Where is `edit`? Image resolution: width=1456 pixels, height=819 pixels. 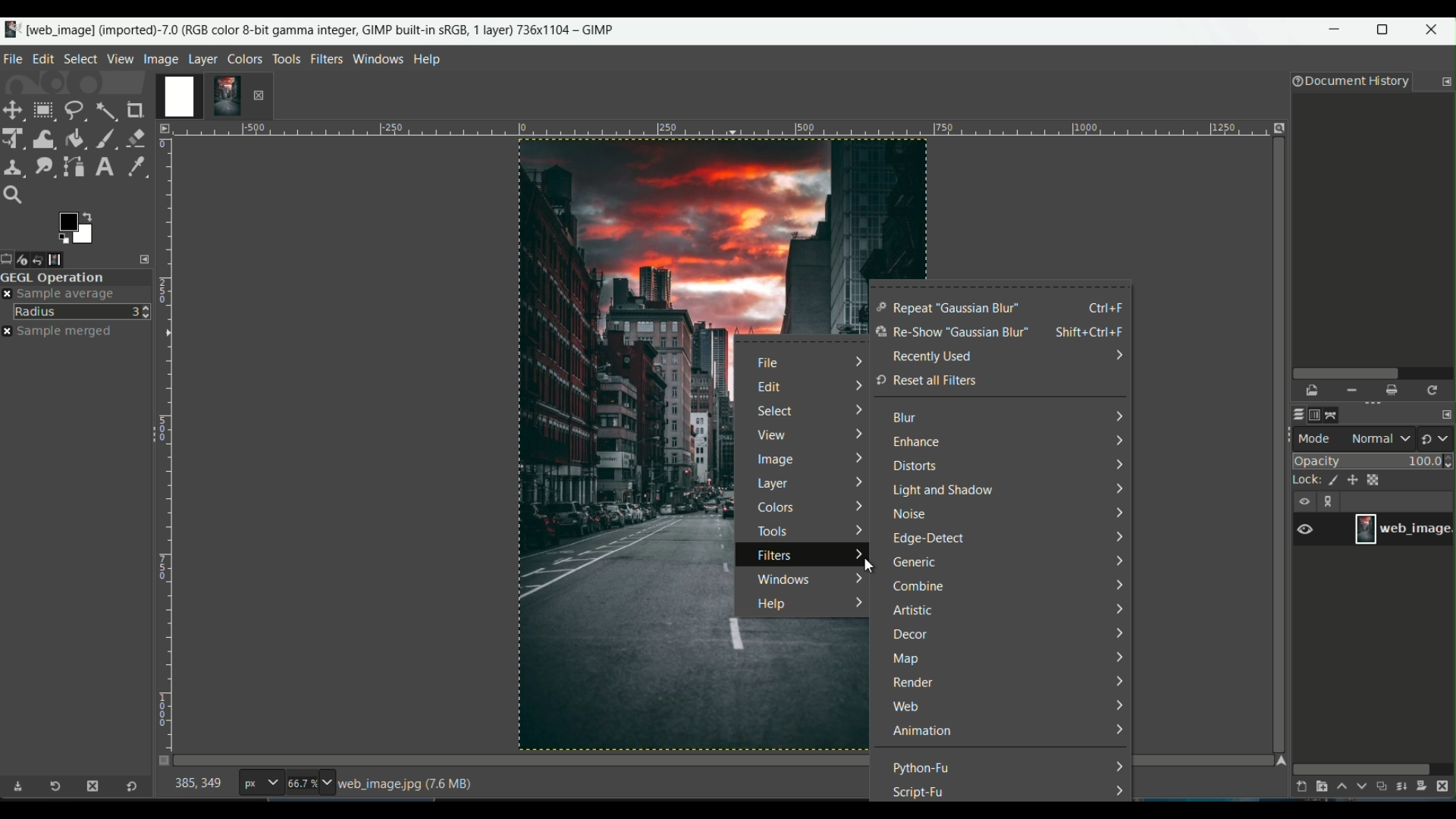 edit is located at coordinates (770, 388).